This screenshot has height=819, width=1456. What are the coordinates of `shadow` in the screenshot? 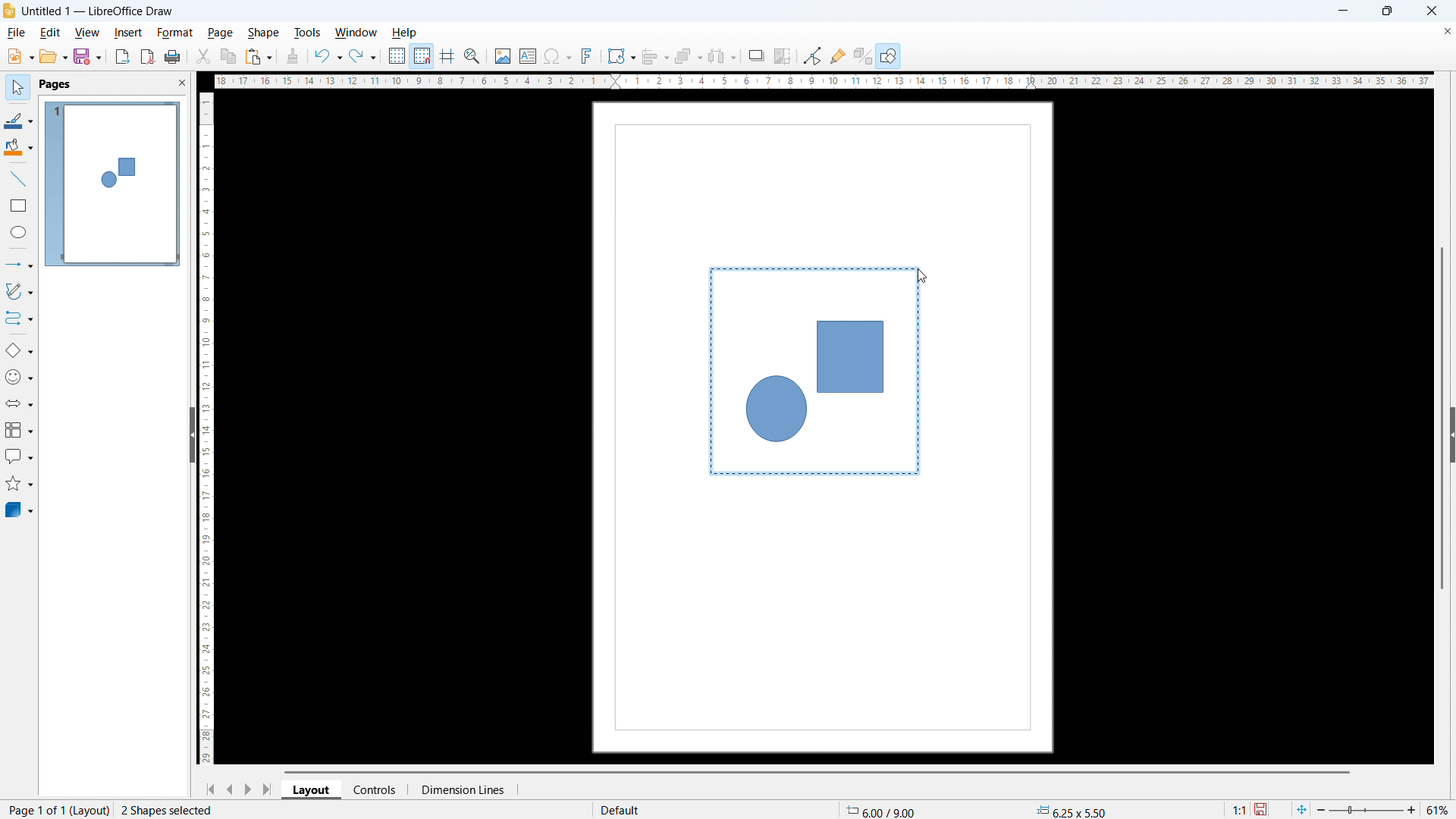 It's located at (758, 56).